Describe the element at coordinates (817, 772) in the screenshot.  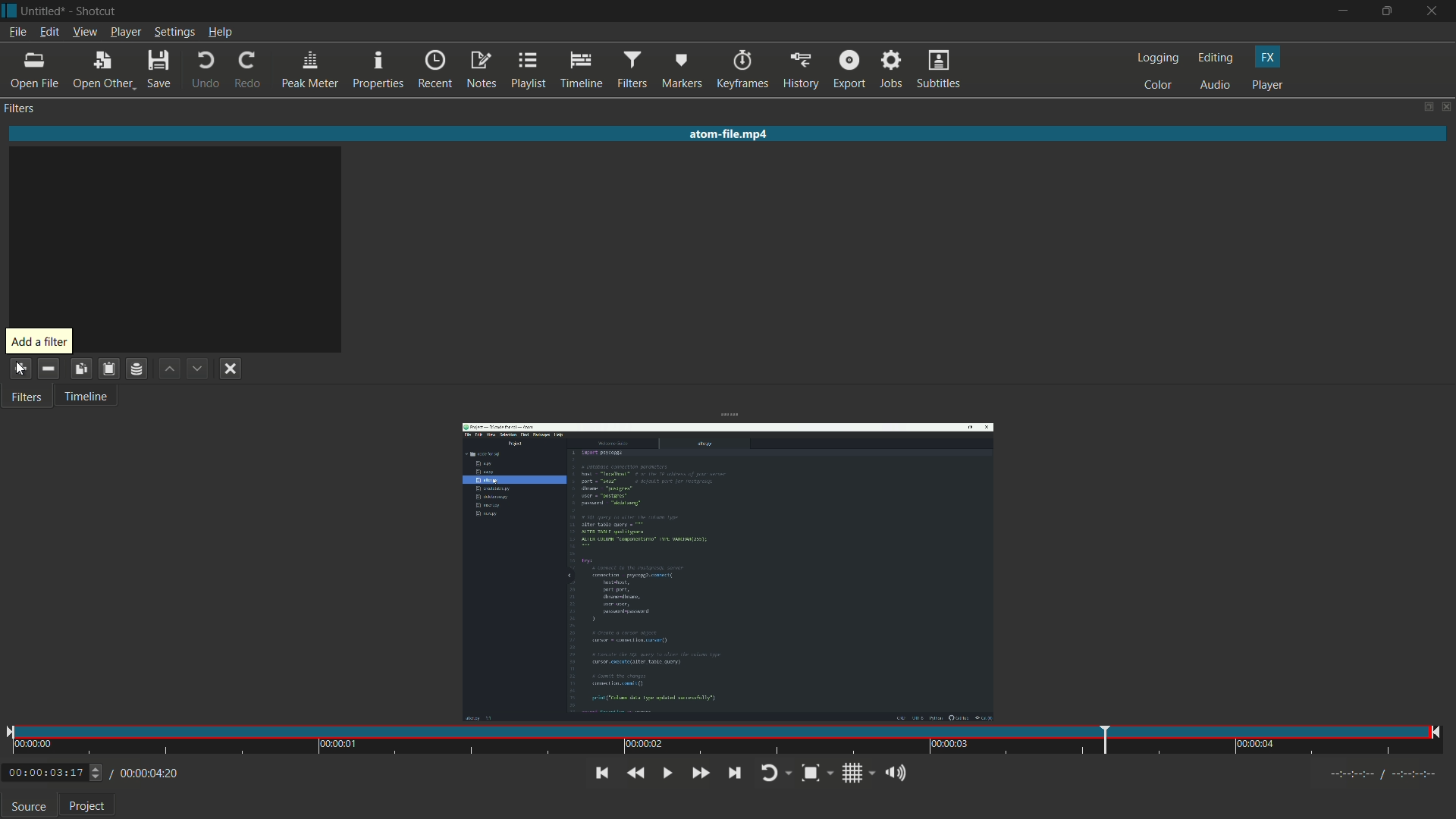
I see `toggle zoom` at that location.